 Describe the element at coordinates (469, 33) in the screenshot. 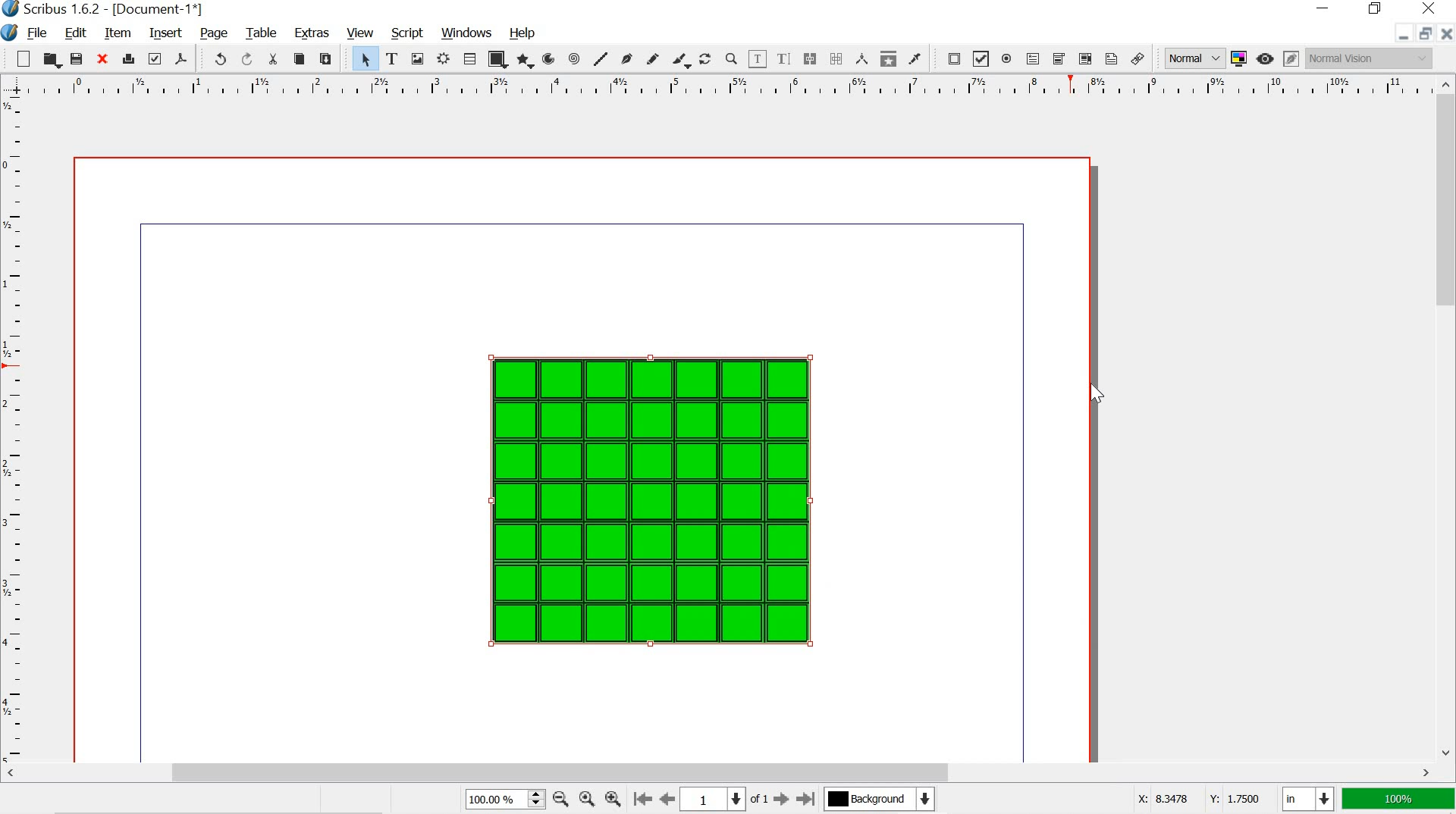

I see `windows` at that location.